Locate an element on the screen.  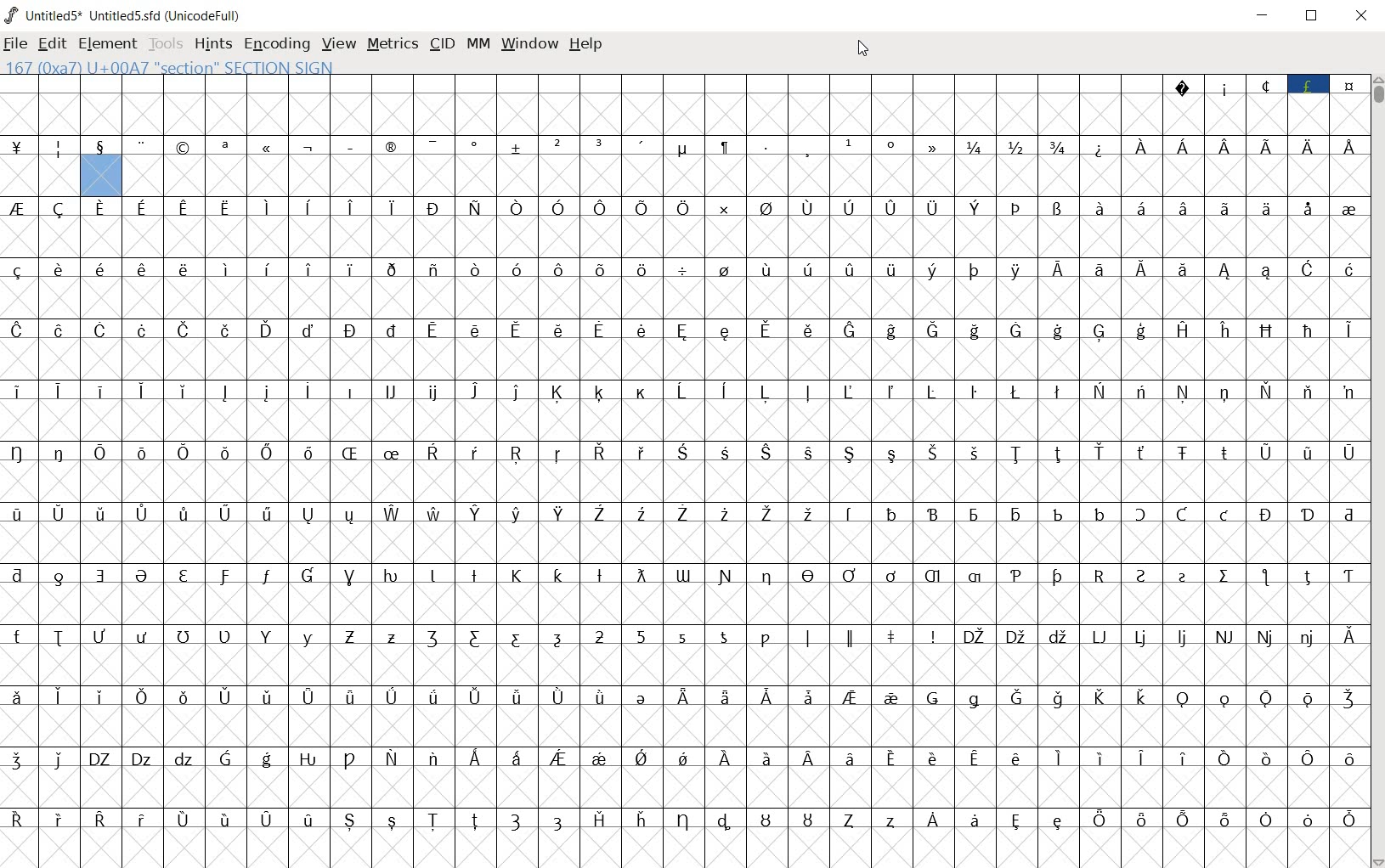
special letters is located at coordinates (685, 454).